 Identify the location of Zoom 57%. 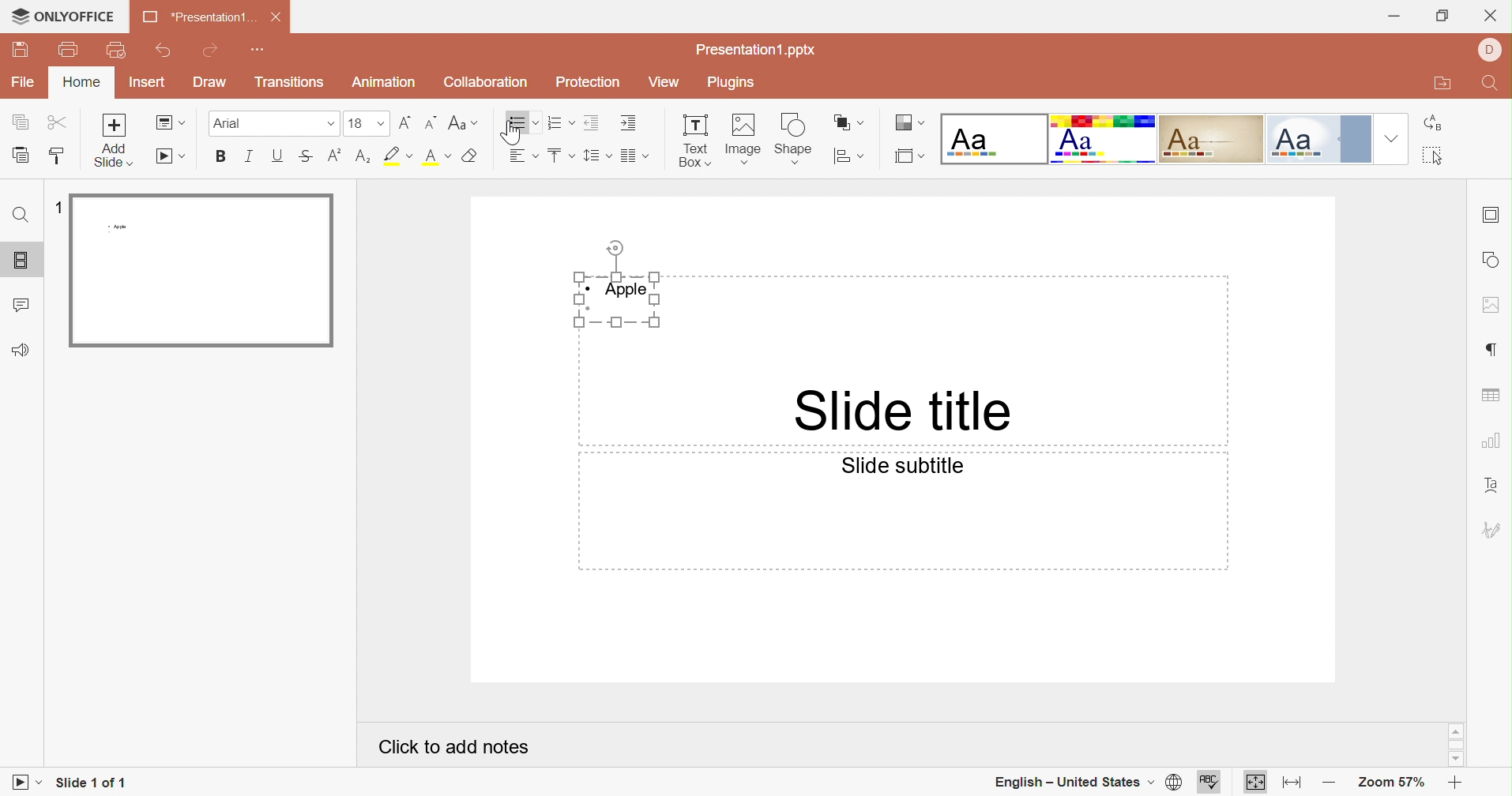
(1390, 783).